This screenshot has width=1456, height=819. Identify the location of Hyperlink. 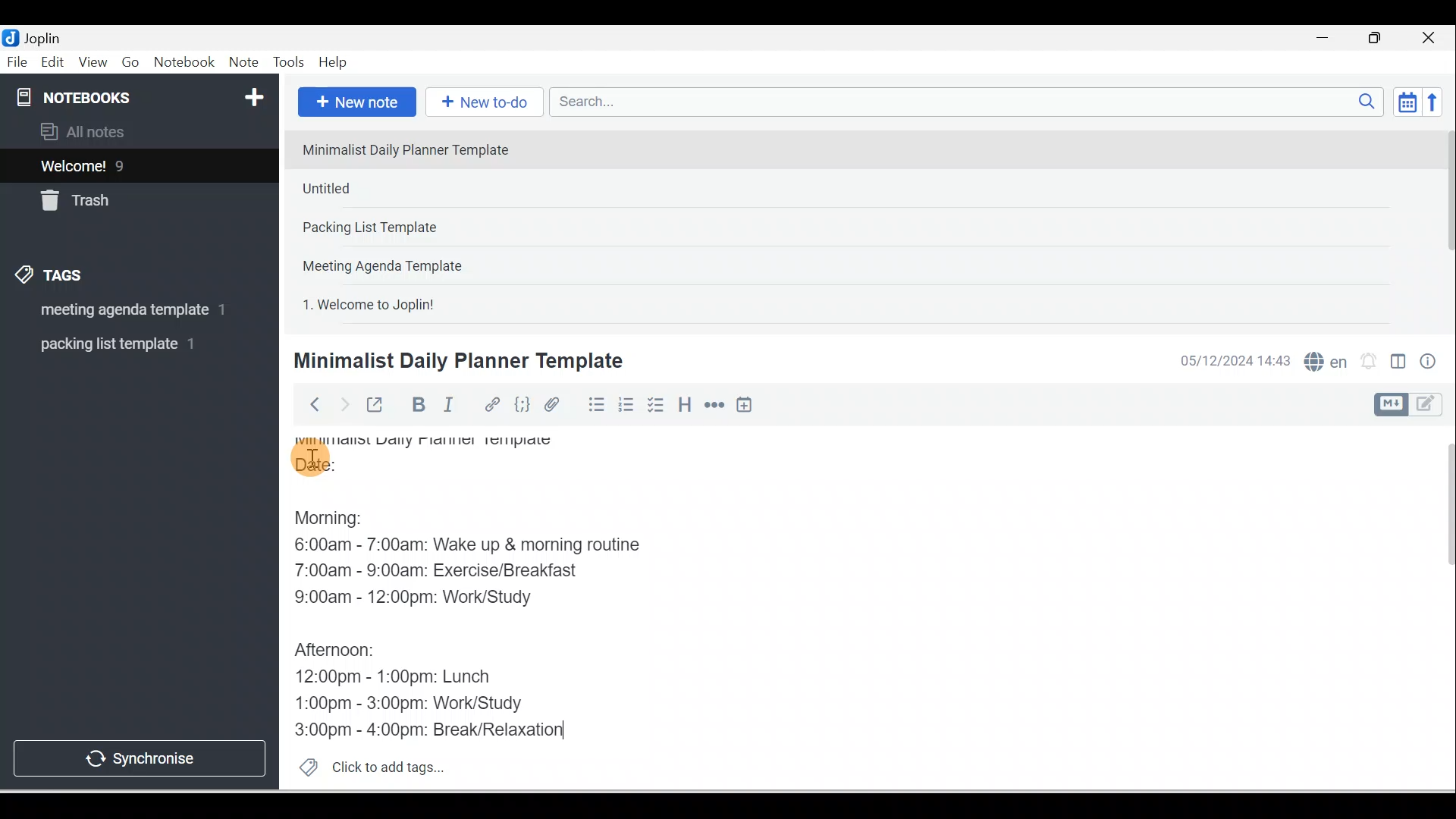
(491, 406).